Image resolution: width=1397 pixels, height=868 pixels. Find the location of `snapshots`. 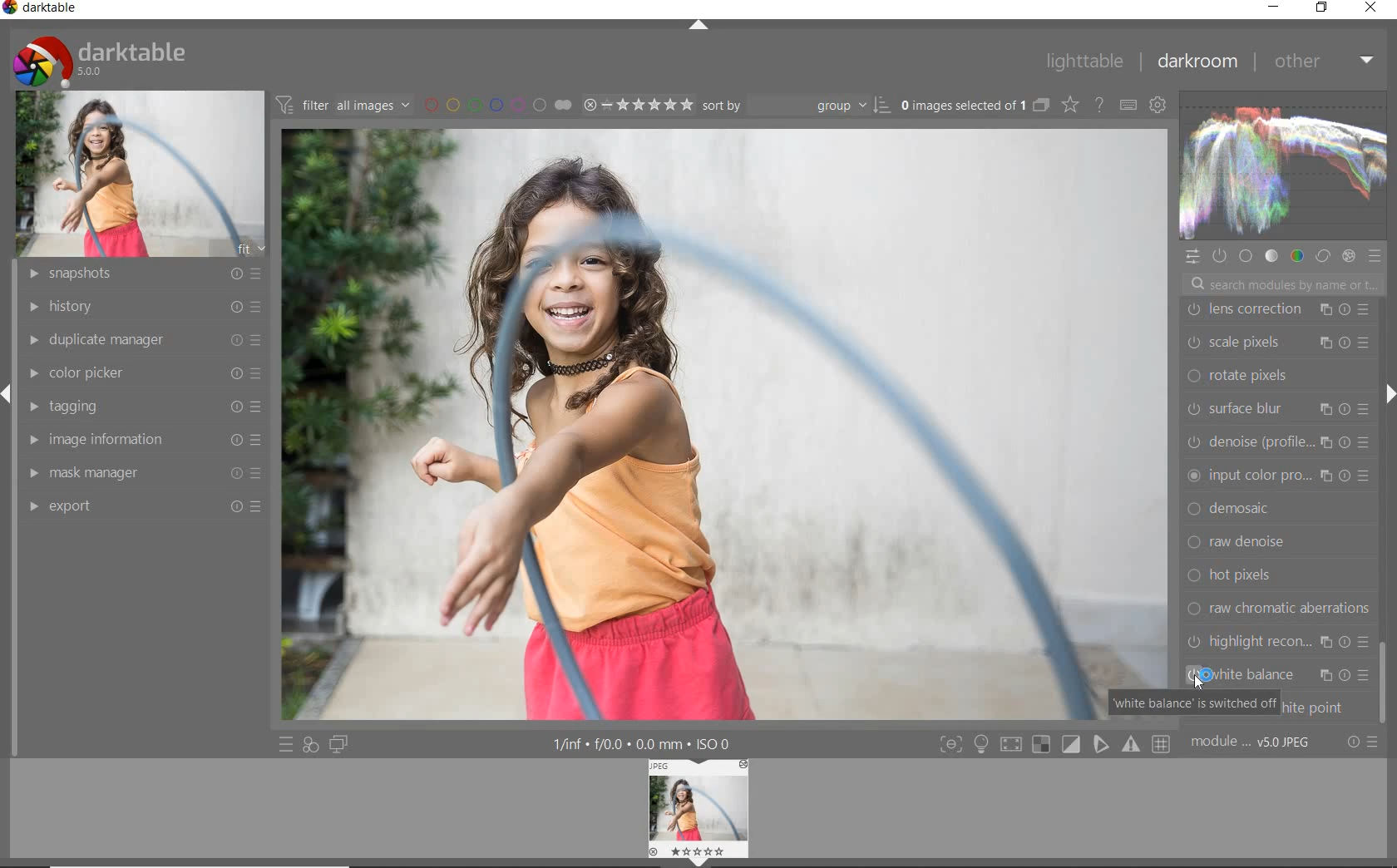

snapshots is located at coordinates (139, 274).